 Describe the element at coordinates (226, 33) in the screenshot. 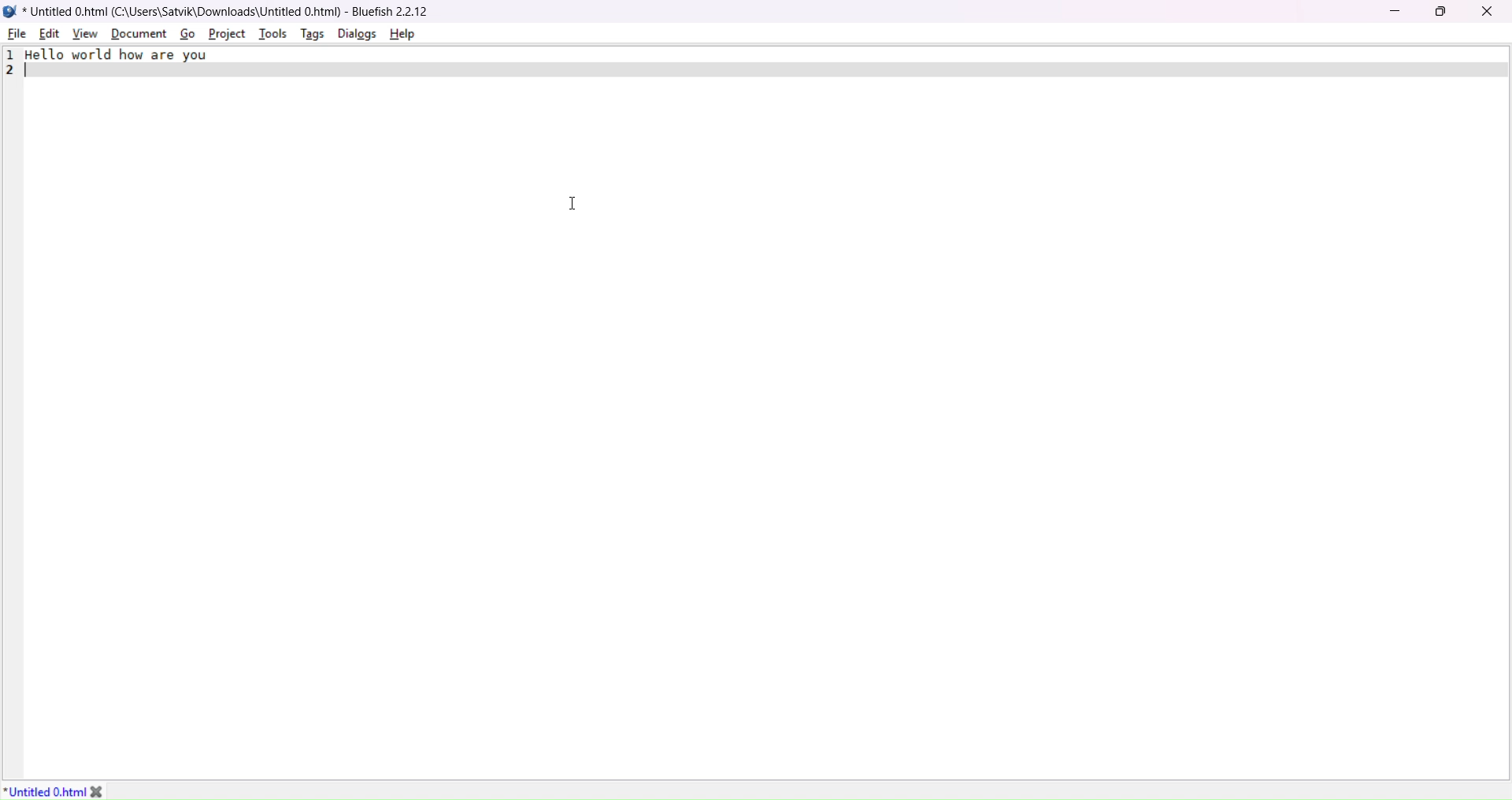

I see `project` at that location.